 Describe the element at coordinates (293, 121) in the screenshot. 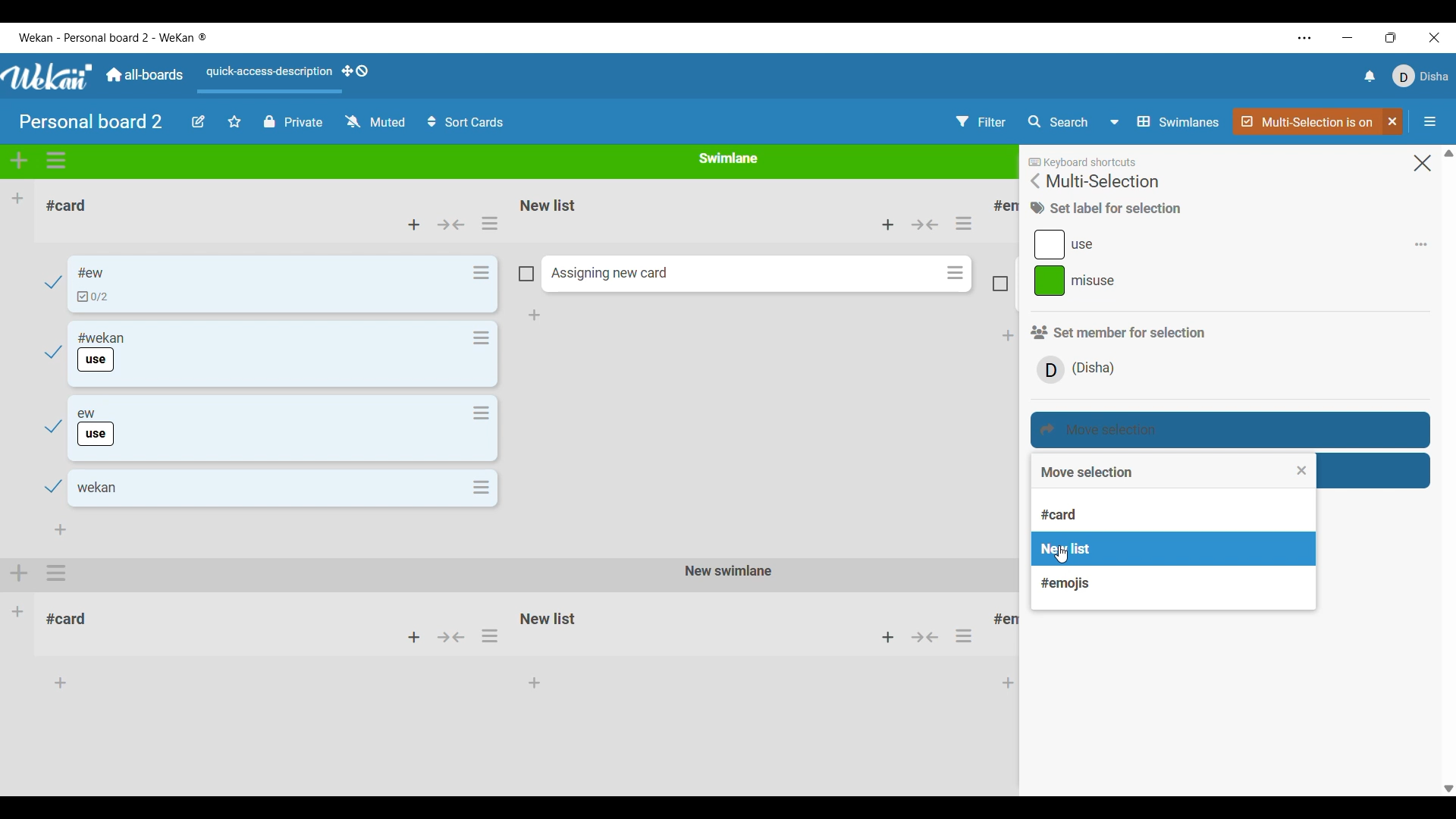

I see `Privcy status of current board` at that location.